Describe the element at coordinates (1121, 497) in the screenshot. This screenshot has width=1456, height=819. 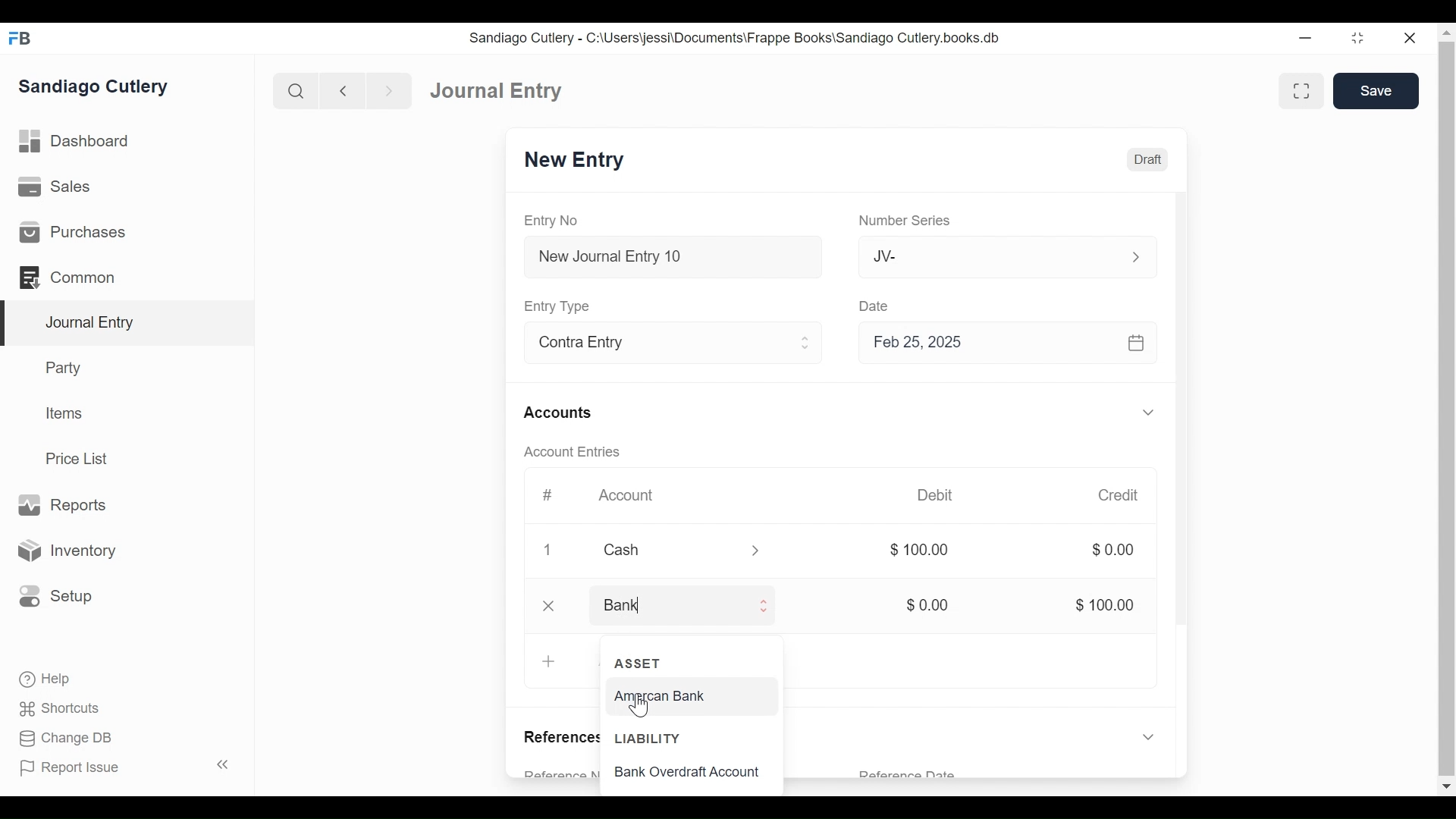
I see `Credit` at that location.